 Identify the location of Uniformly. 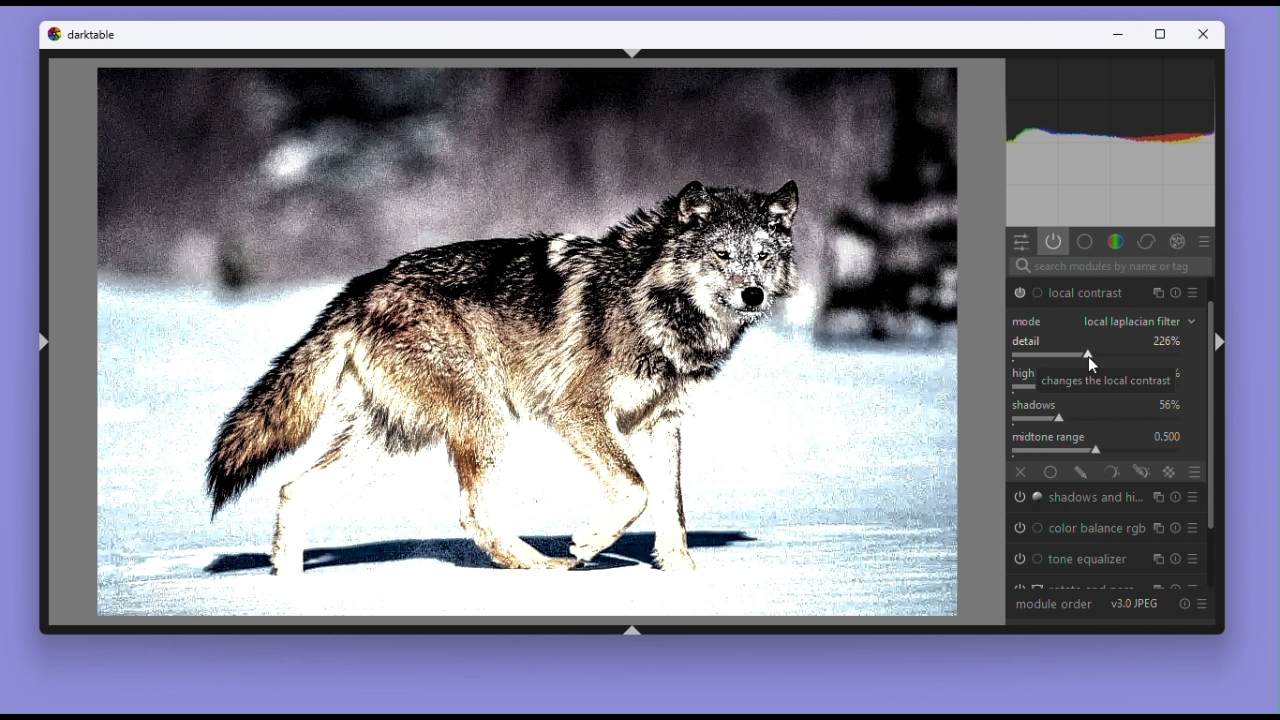
(1051, 472).